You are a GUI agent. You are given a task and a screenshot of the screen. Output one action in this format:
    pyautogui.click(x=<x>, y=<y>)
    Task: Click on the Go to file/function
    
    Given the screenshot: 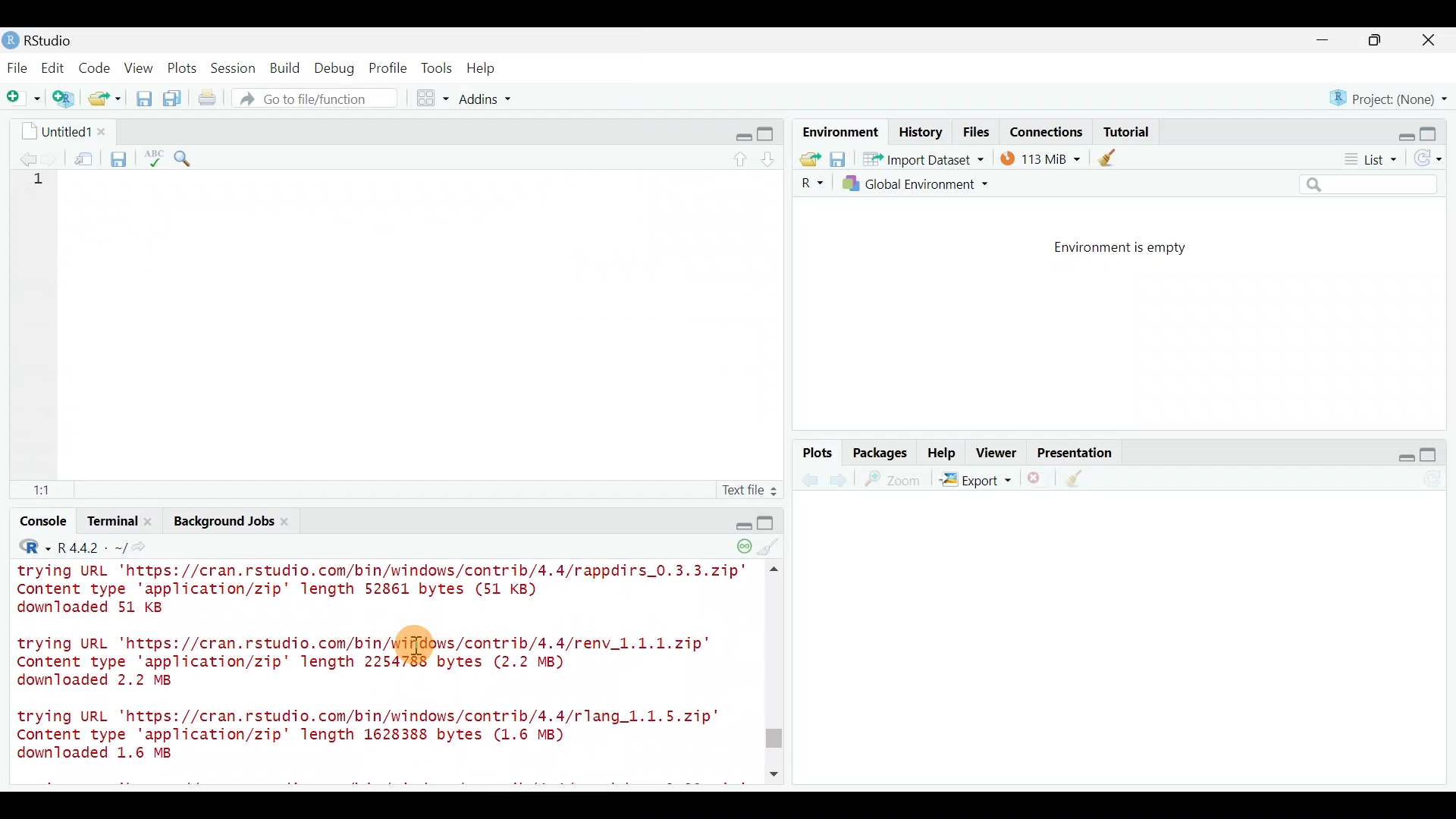 What is the action you would take?
    pyautogui.click(x=322, y=99)
    